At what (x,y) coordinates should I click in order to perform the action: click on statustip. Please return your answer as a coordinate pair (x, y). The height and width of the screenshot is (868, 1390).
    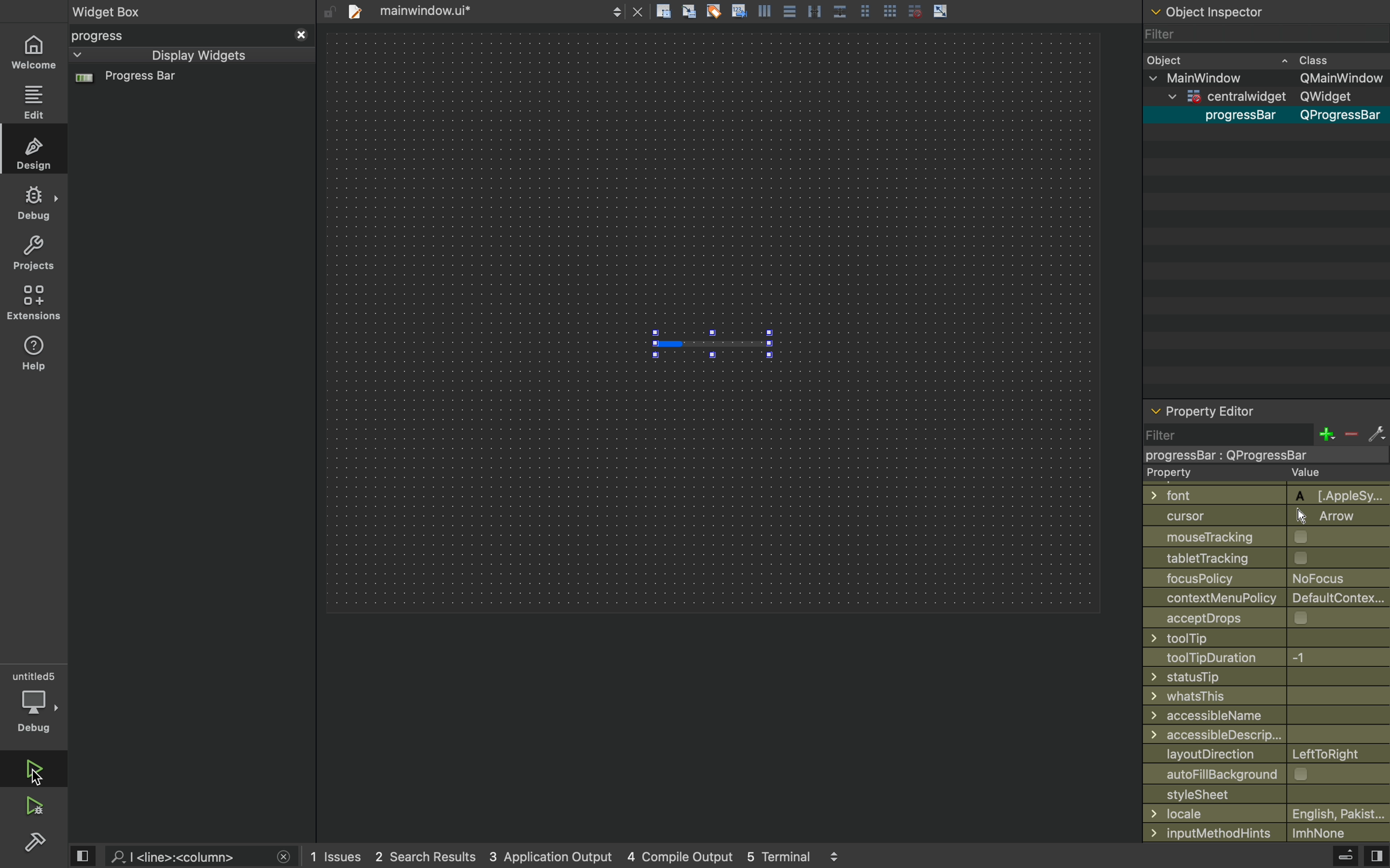
    Looking at the image, I should click on (1262, 676).